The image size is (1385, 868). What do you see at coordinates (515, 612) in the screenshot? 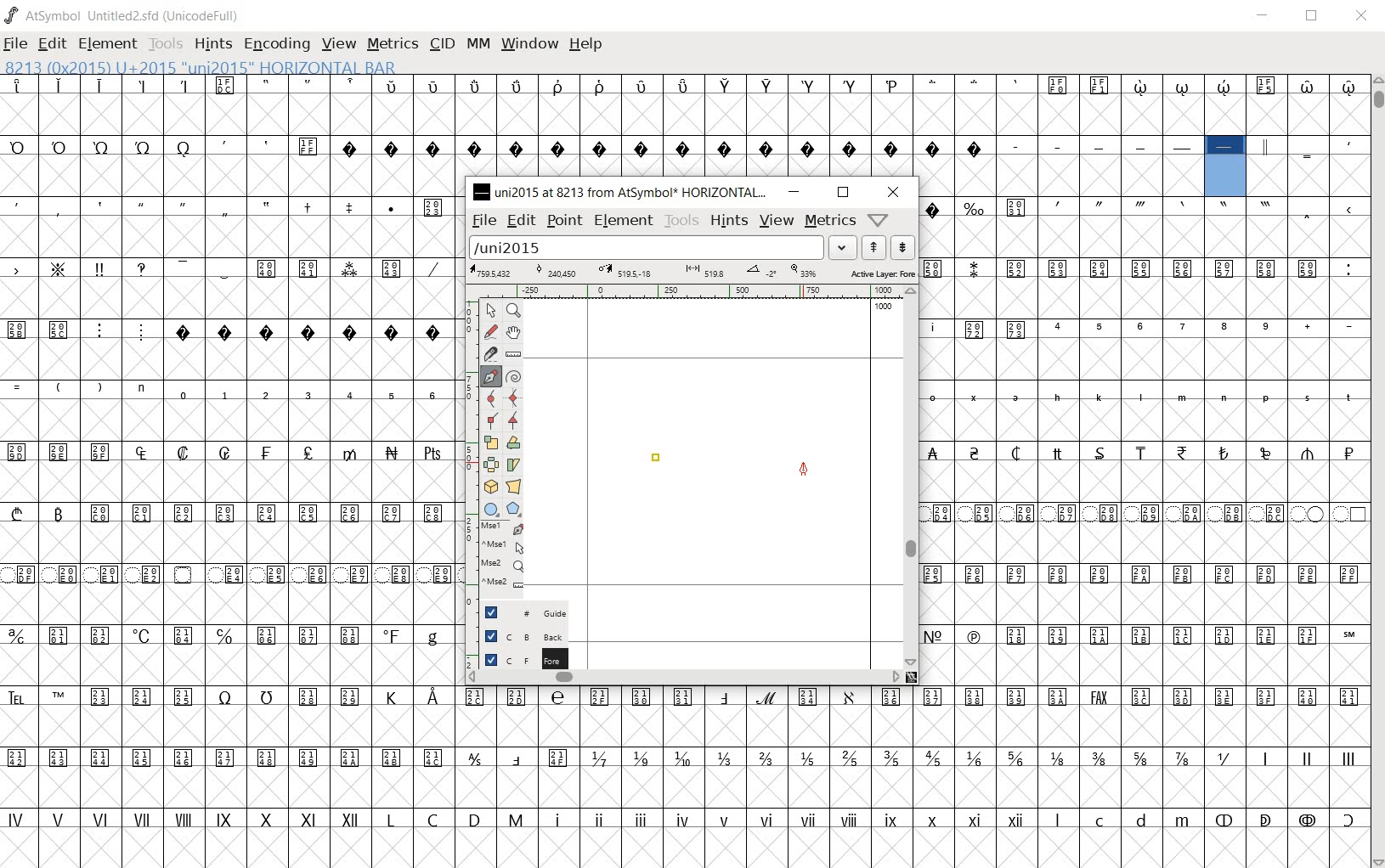
I see `Guide` at bounding box center [515, 612].